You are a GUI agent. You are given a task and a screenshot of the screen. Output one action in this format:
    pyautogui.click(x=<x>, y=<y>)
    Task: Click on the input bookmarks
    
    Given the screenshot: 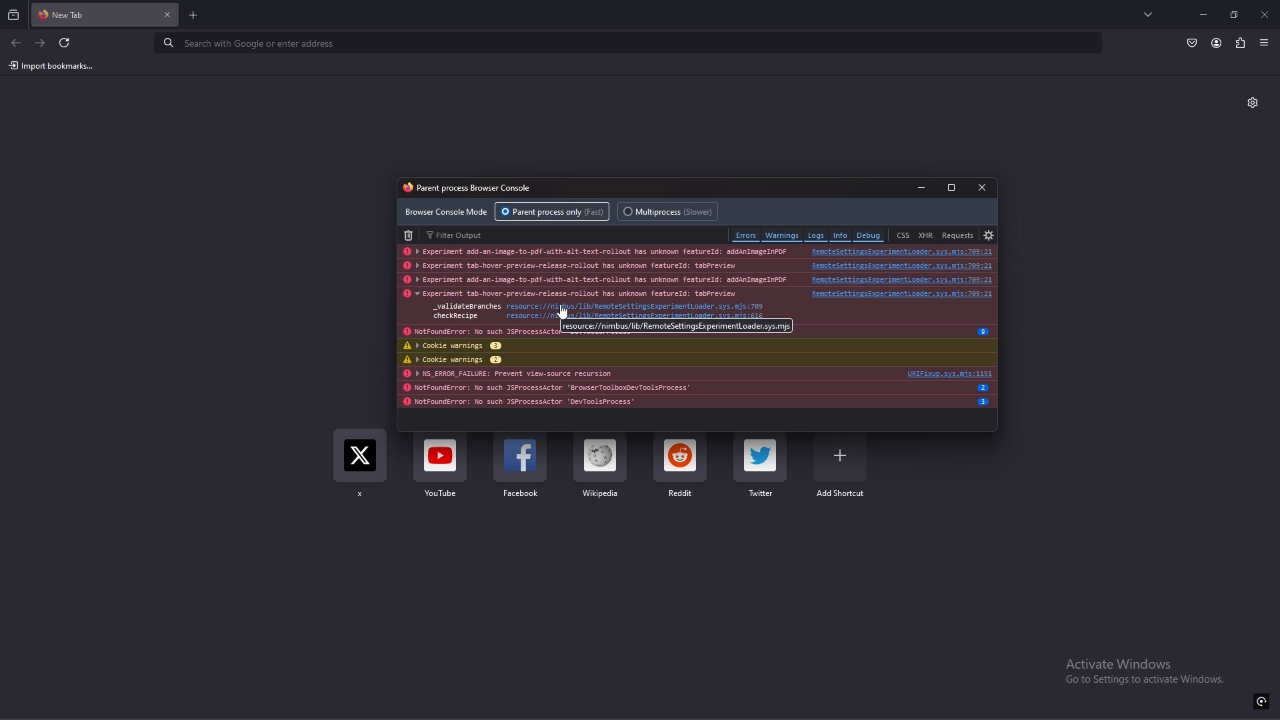 What is the action you would take?
    pyautogui.click(x=57, y=65)
    